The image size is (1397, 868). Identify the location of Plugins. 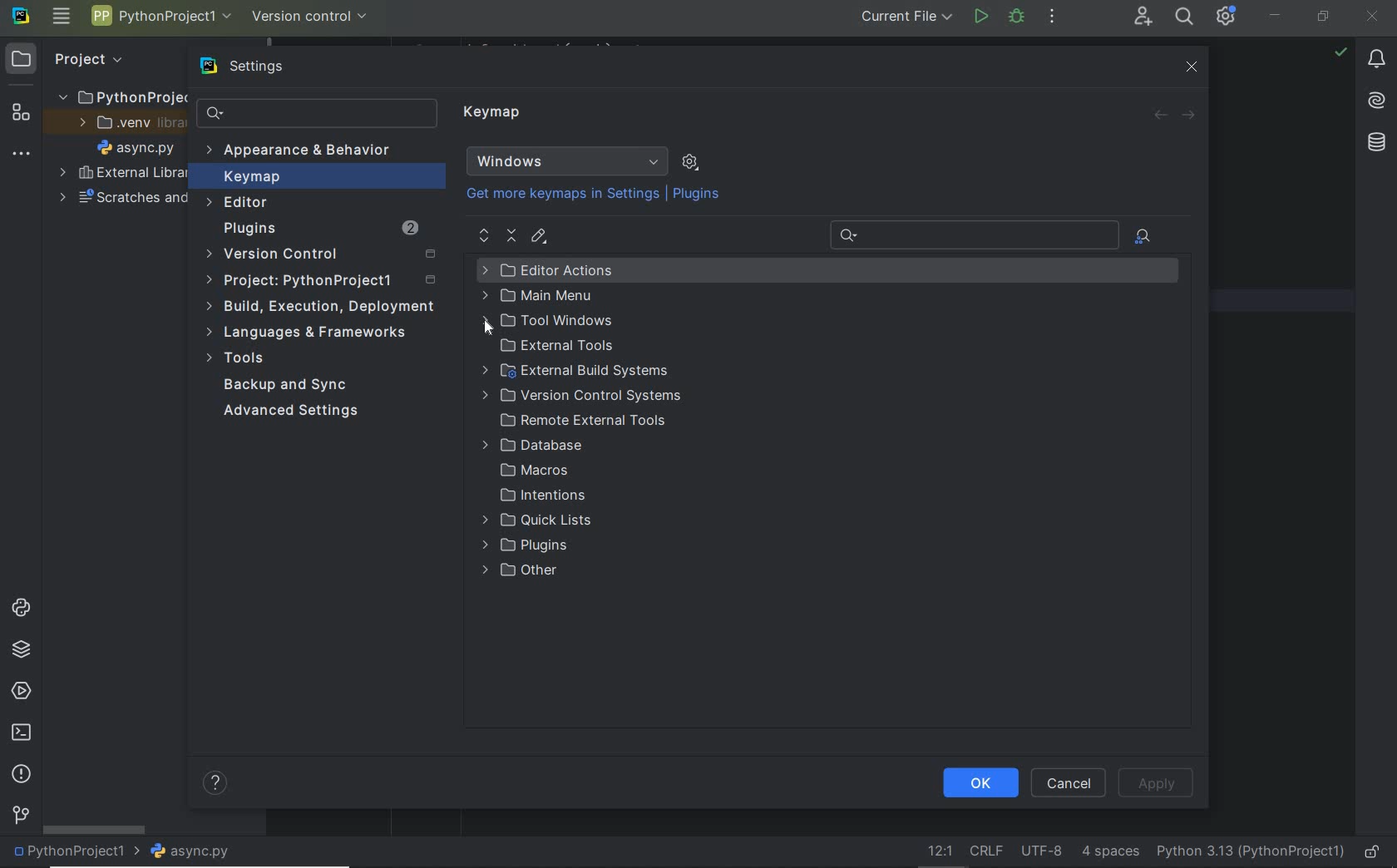
(698, 195).